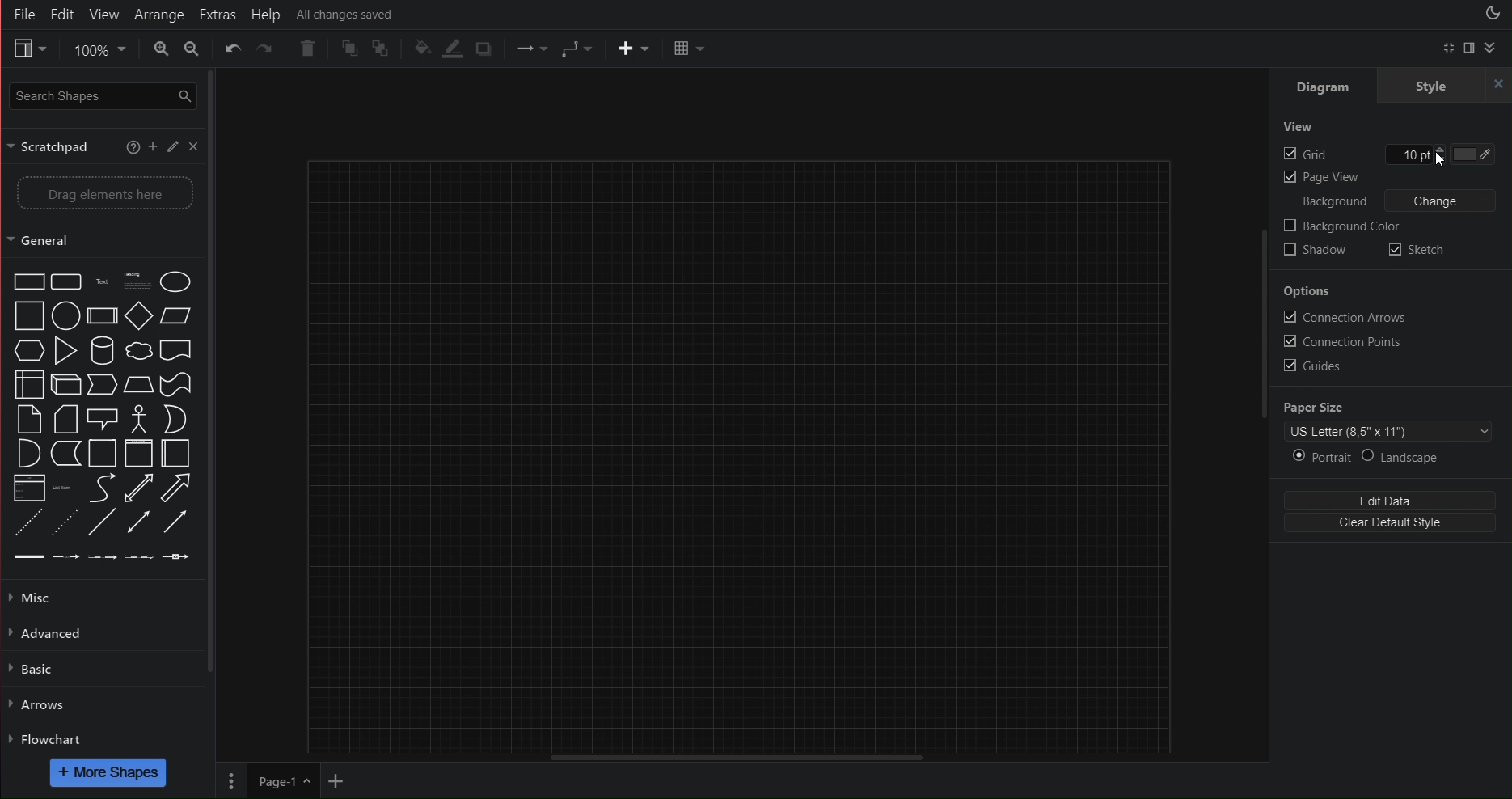  Describe the element at coordinates (133, 148) in the screenshot. I see `Help` at that location.